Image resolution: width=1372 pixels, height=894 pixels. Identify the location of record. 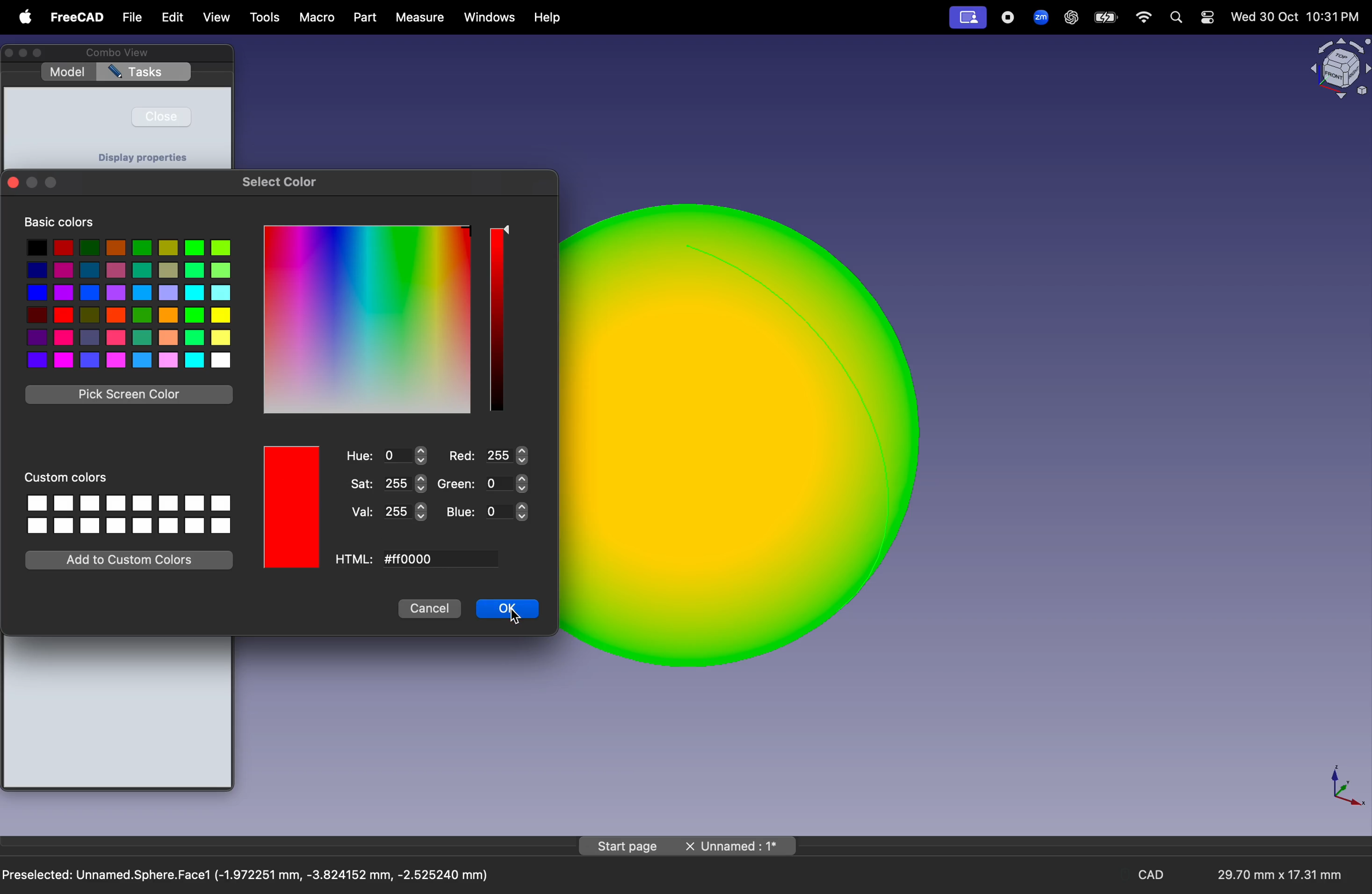
(1009, 17).